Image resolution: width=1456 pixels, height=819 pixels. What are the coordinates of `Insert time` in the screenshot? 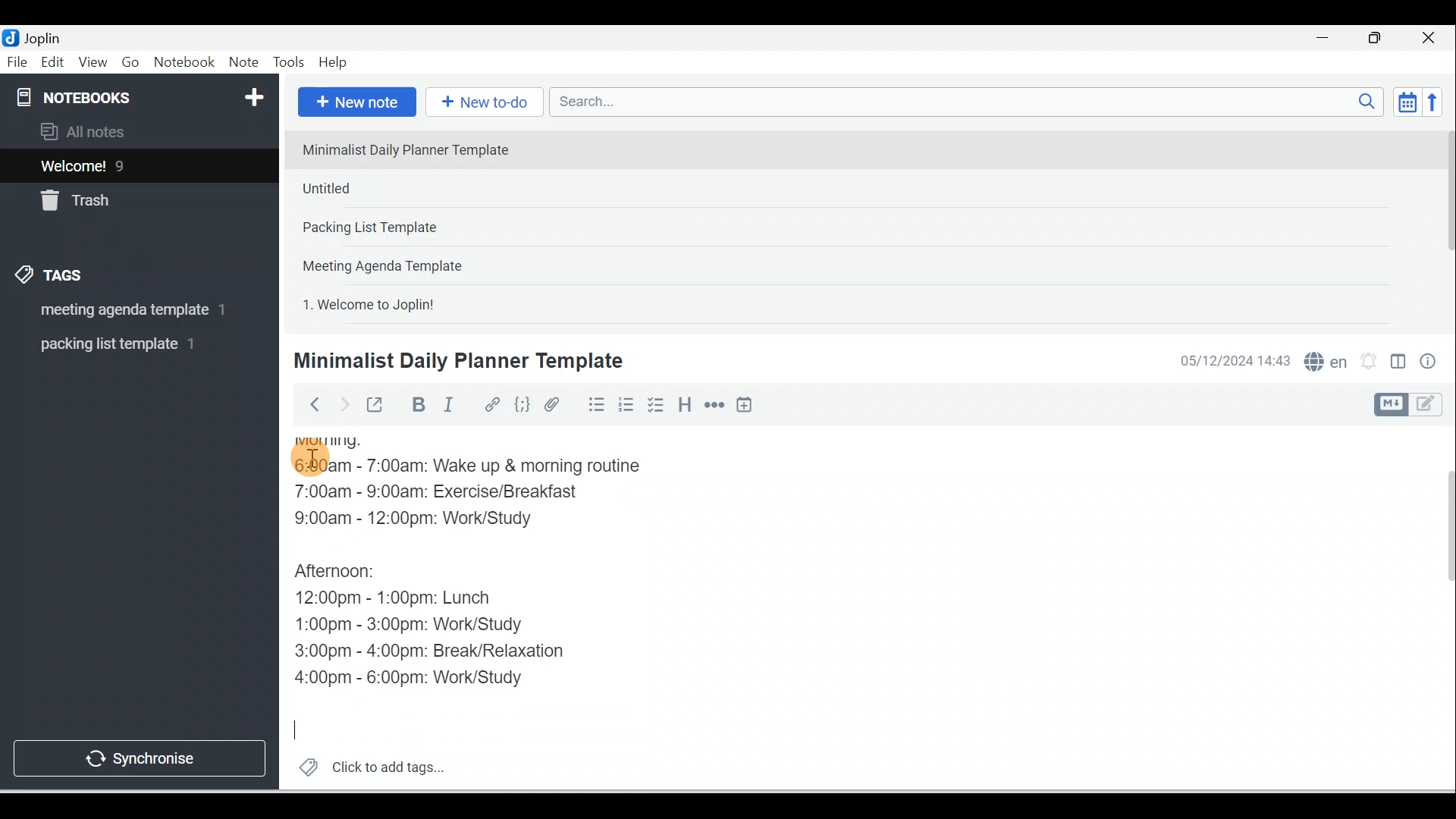 It's located at (744, 406).